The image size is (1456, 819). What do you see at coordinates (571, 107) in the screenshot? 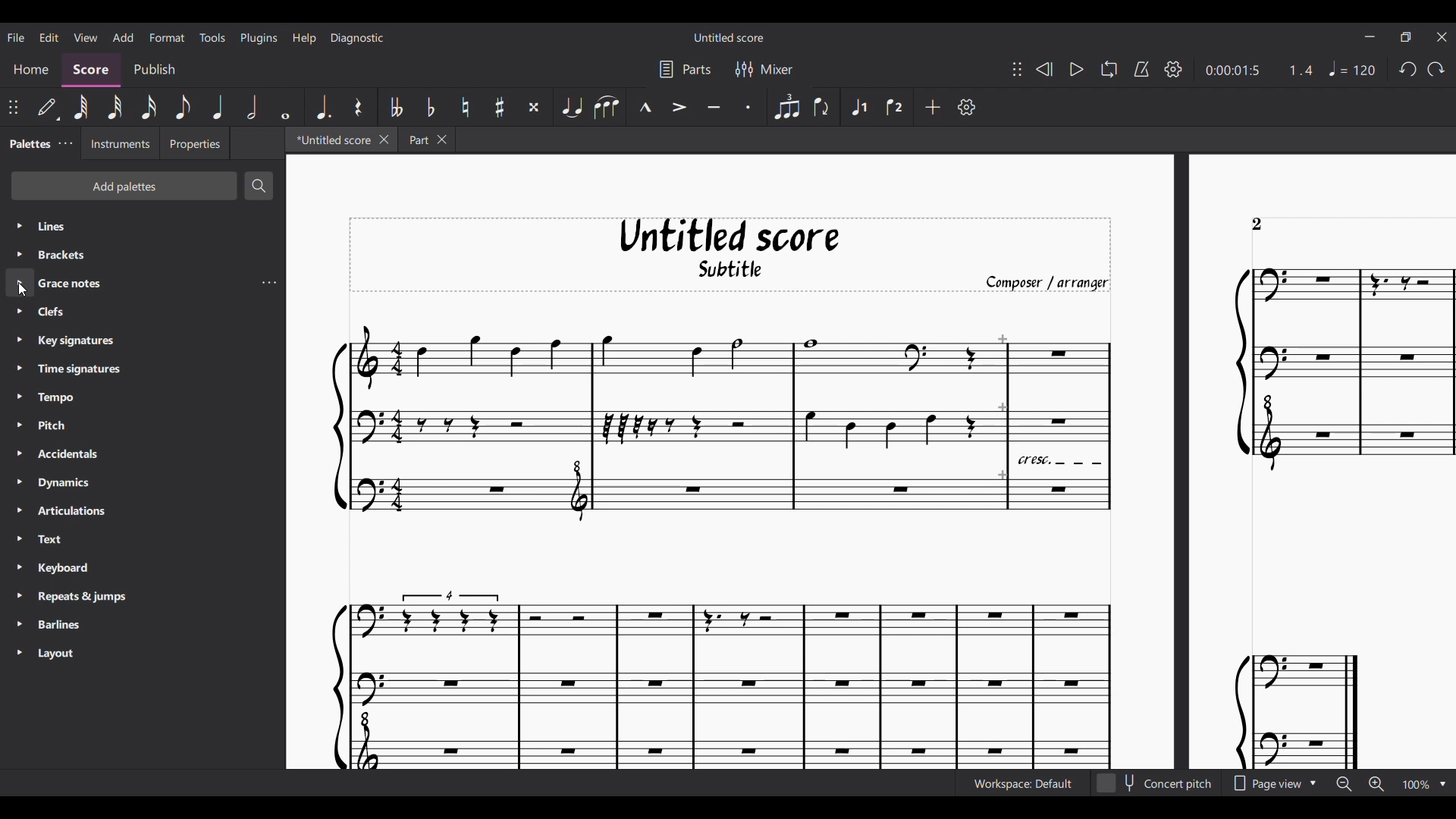
I see `Tie` at bounding box center [571, 107].